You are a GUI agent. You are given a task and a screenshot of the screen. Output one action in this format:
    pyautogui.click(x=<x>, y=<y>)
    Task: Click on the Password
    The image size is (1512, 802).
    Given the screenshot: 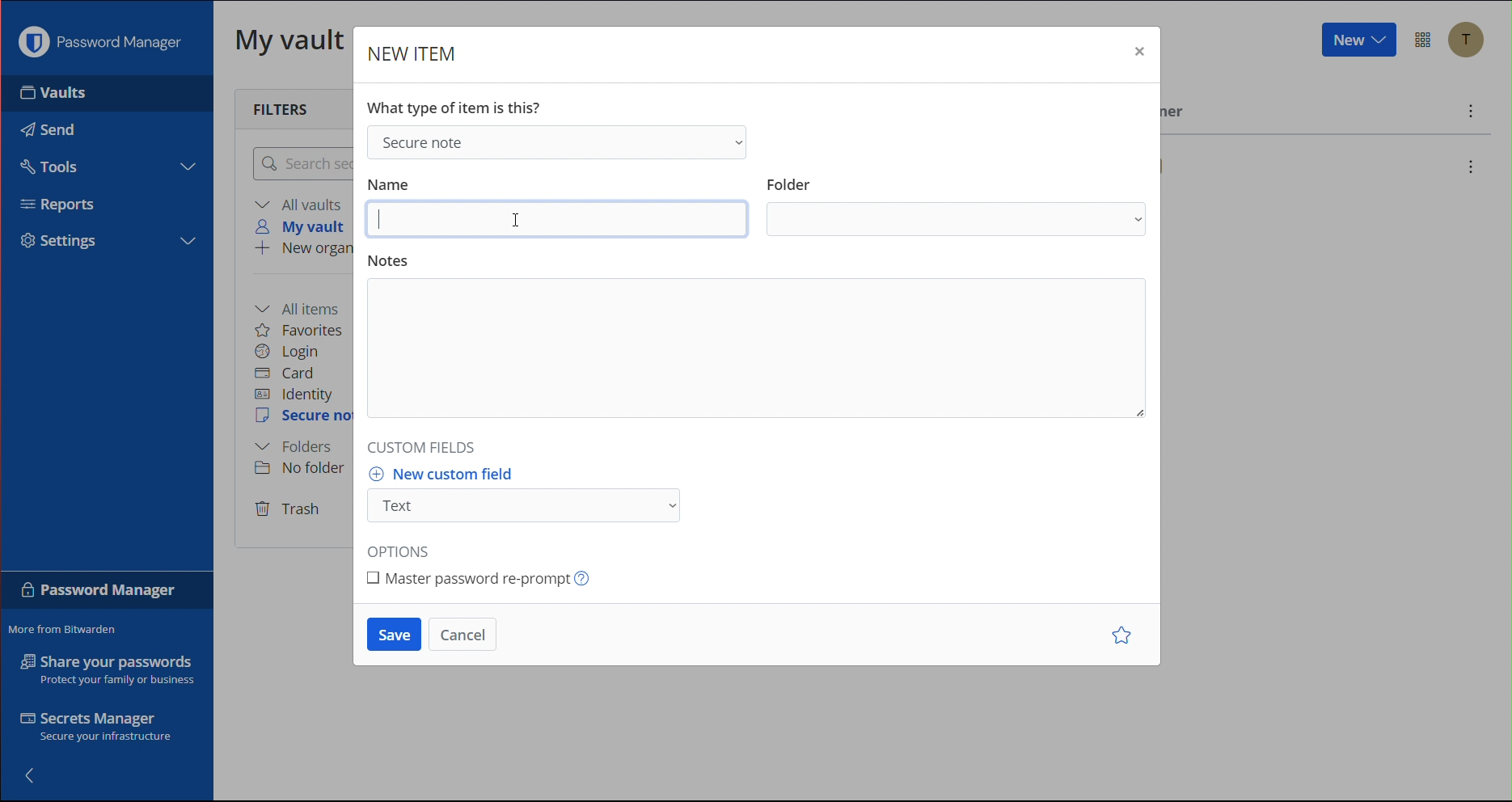 What is the action you would take?
    pyautogui.click(x=99, y=593)
    